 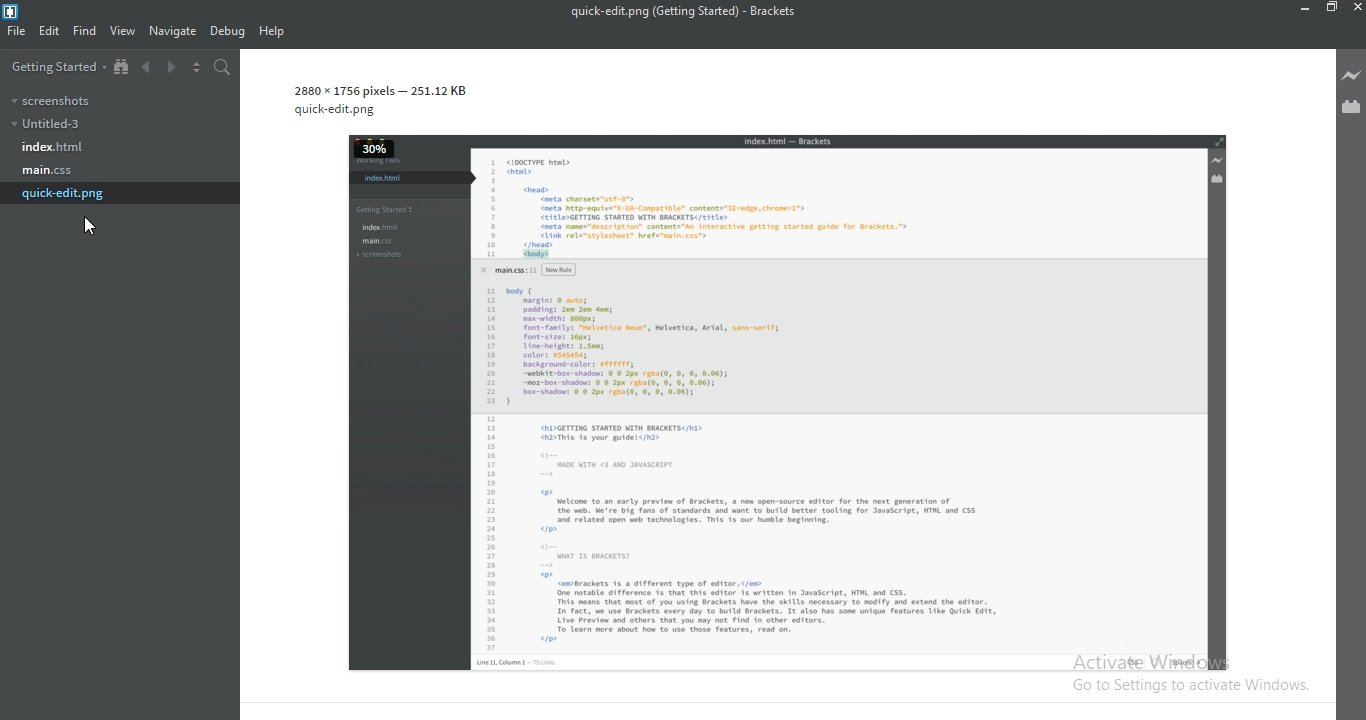 What do you see at coordinates (50, 31) in the screenshot?
I see `edit` at bounding box center [50, 31].